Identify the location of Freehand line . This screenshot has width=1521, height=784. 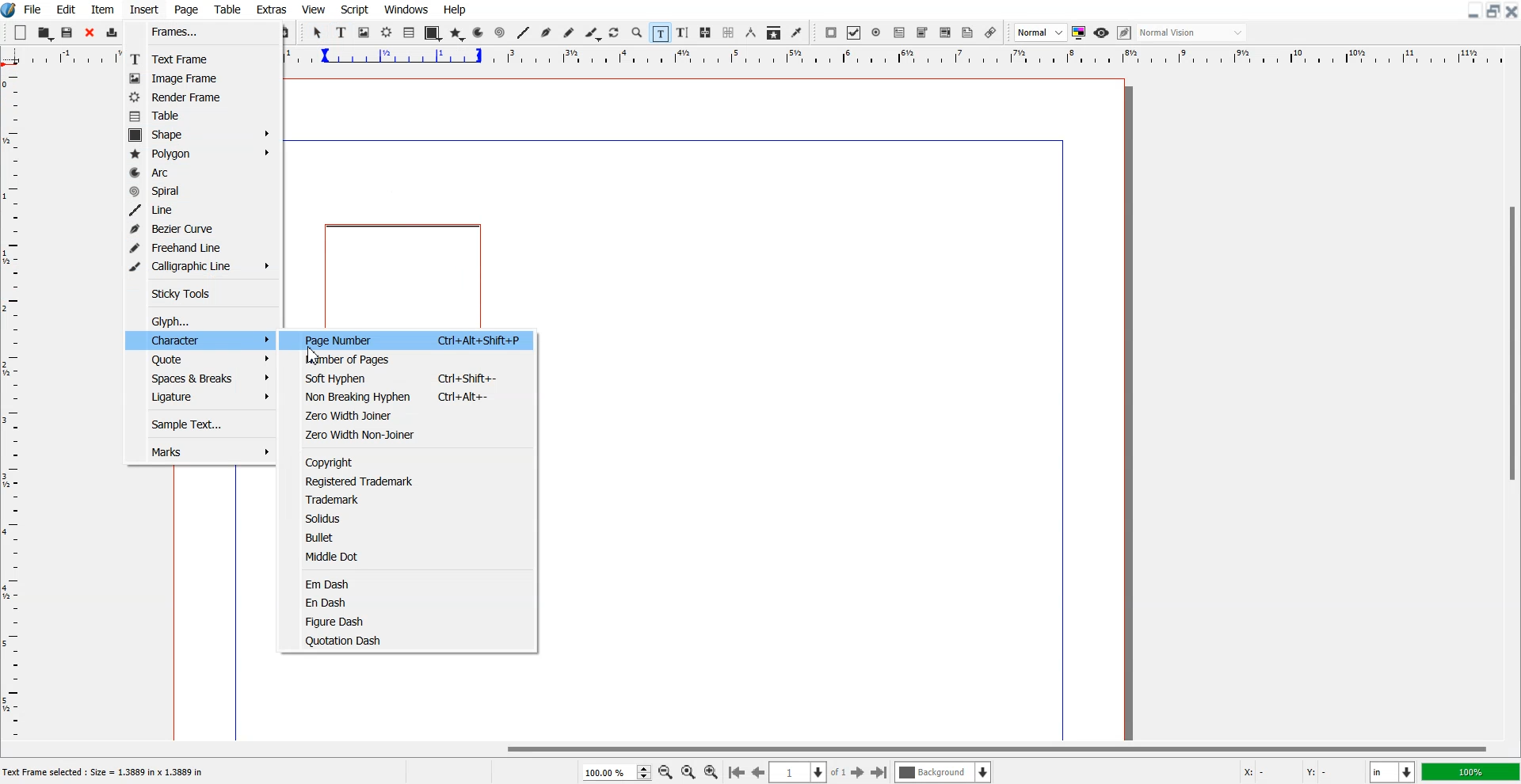
(569, 33).